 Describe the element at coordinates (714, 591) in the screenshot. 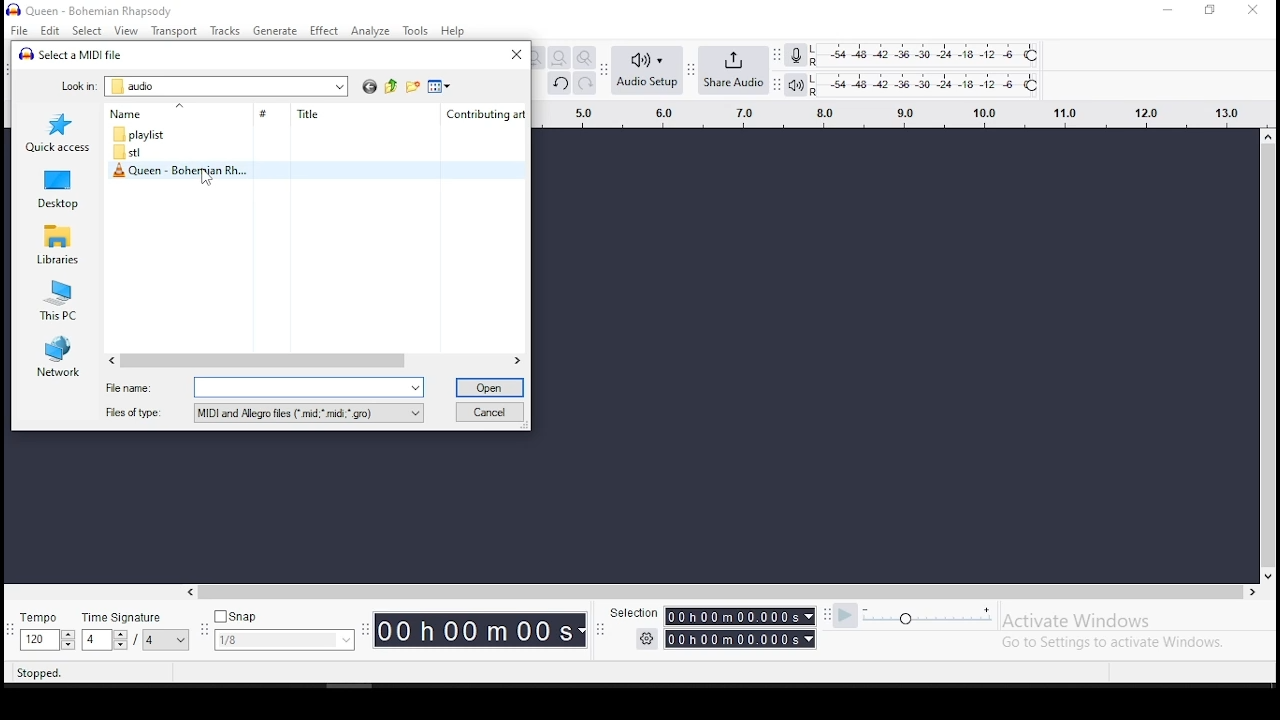

I see `scroll bar` at that location.